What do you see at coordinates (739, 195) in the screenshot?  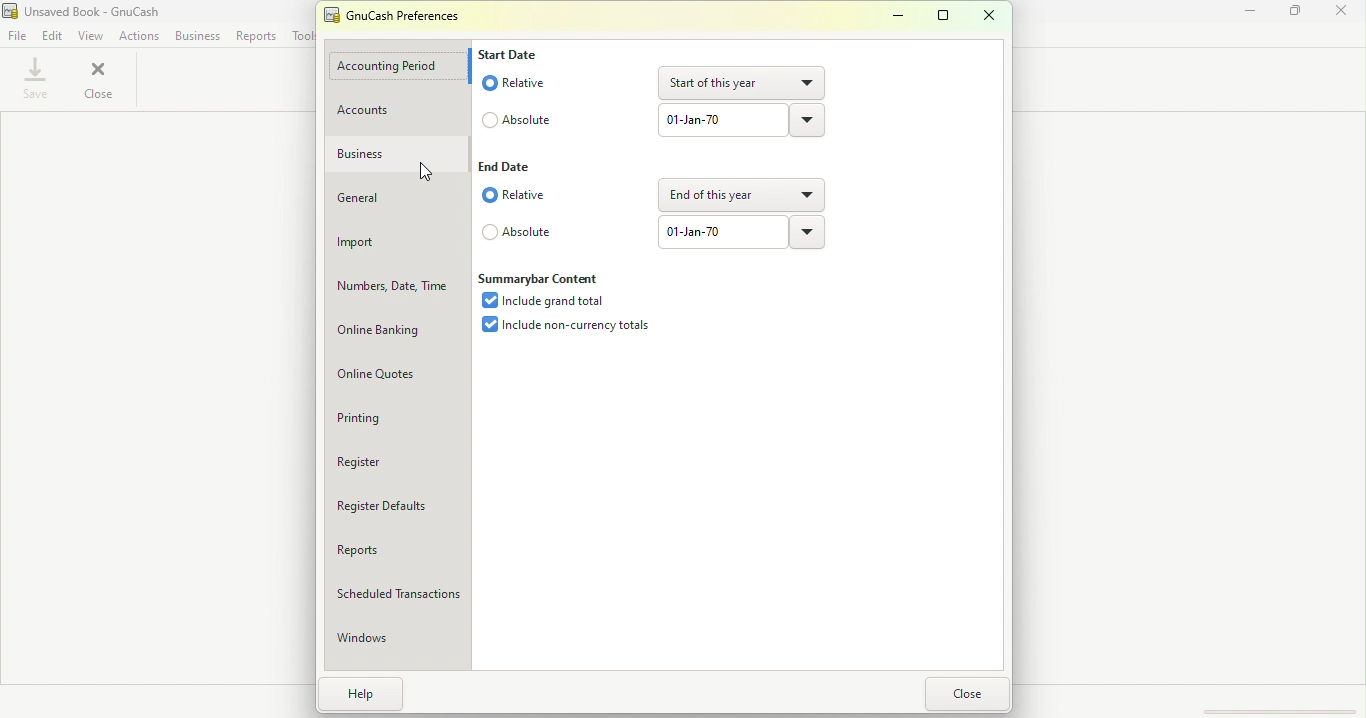 I see `Drop down` at bounding box center [739, 195].